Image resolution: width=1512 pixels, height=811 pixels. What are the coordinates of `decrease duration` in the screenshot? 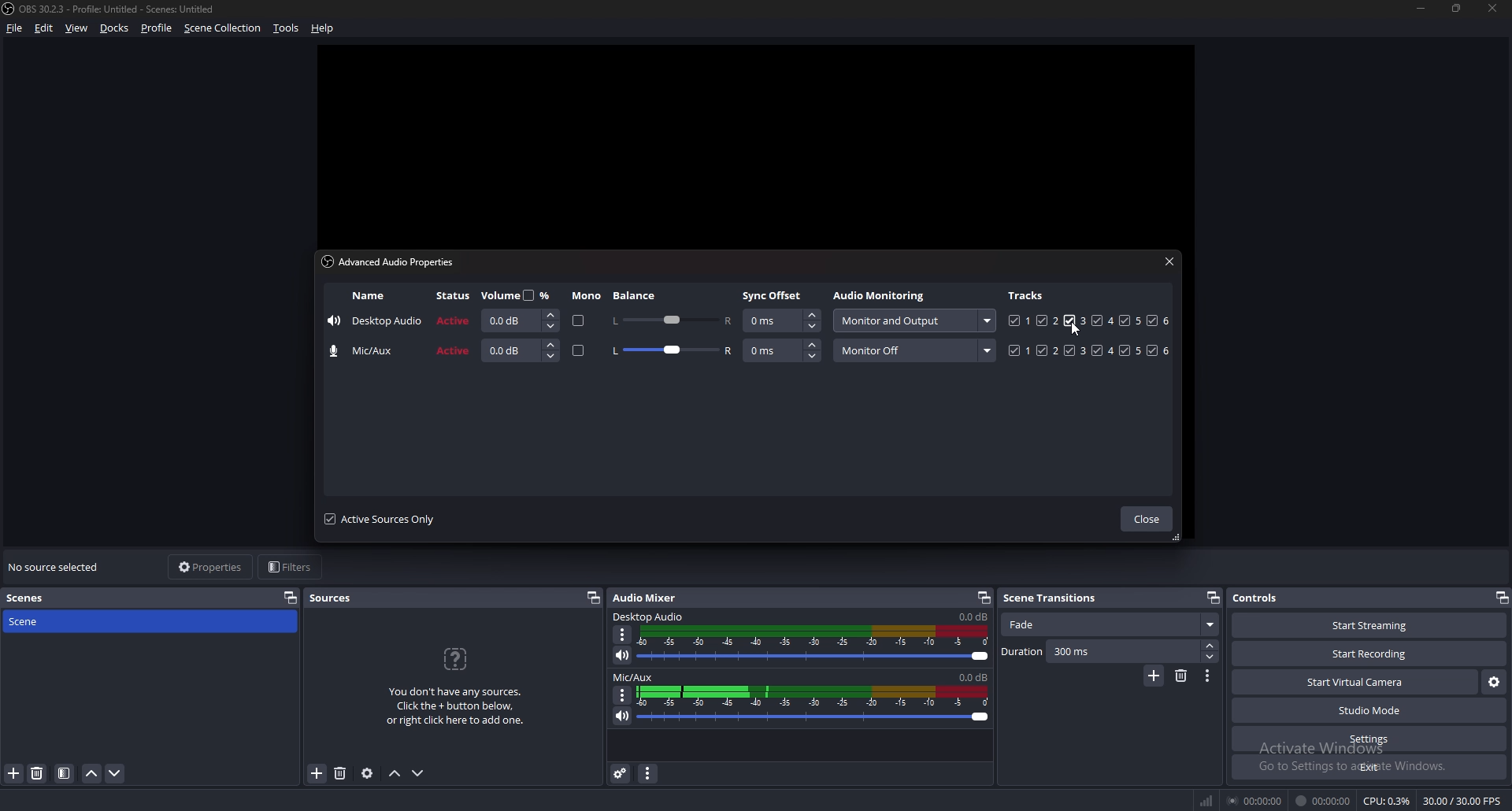 It's located at (1209, 657).